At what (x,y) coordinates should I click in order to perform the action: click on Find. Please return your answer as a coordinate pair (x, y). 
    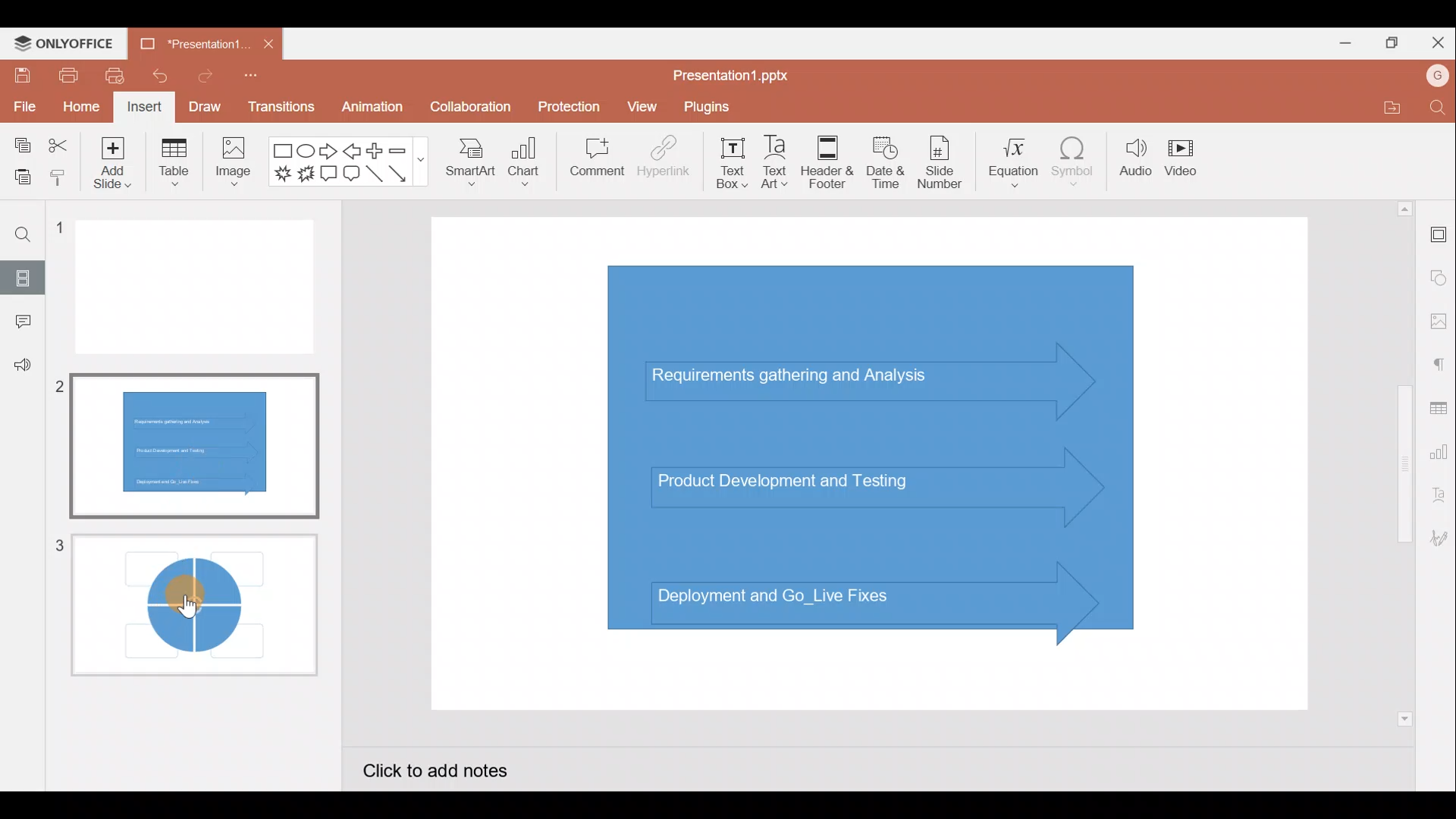
    Looking at the image, I should click on (23, 236).